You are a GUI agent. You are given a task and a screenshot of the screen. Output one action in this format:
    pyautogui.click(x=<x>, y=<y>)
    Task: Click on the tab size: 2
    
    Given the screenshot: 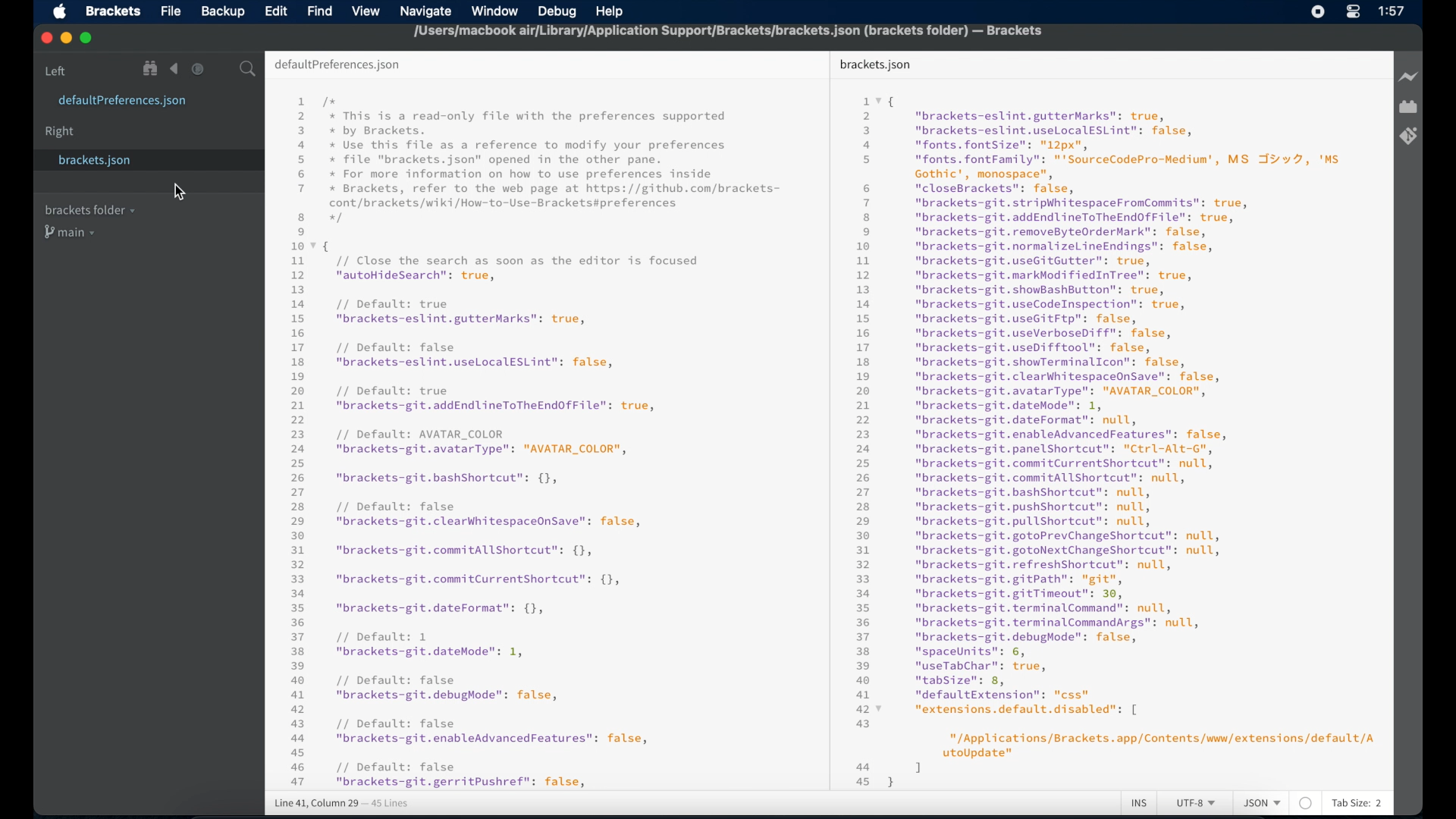 What is the action you would take?
    pyautogui.click(x=1357, y=804)
    